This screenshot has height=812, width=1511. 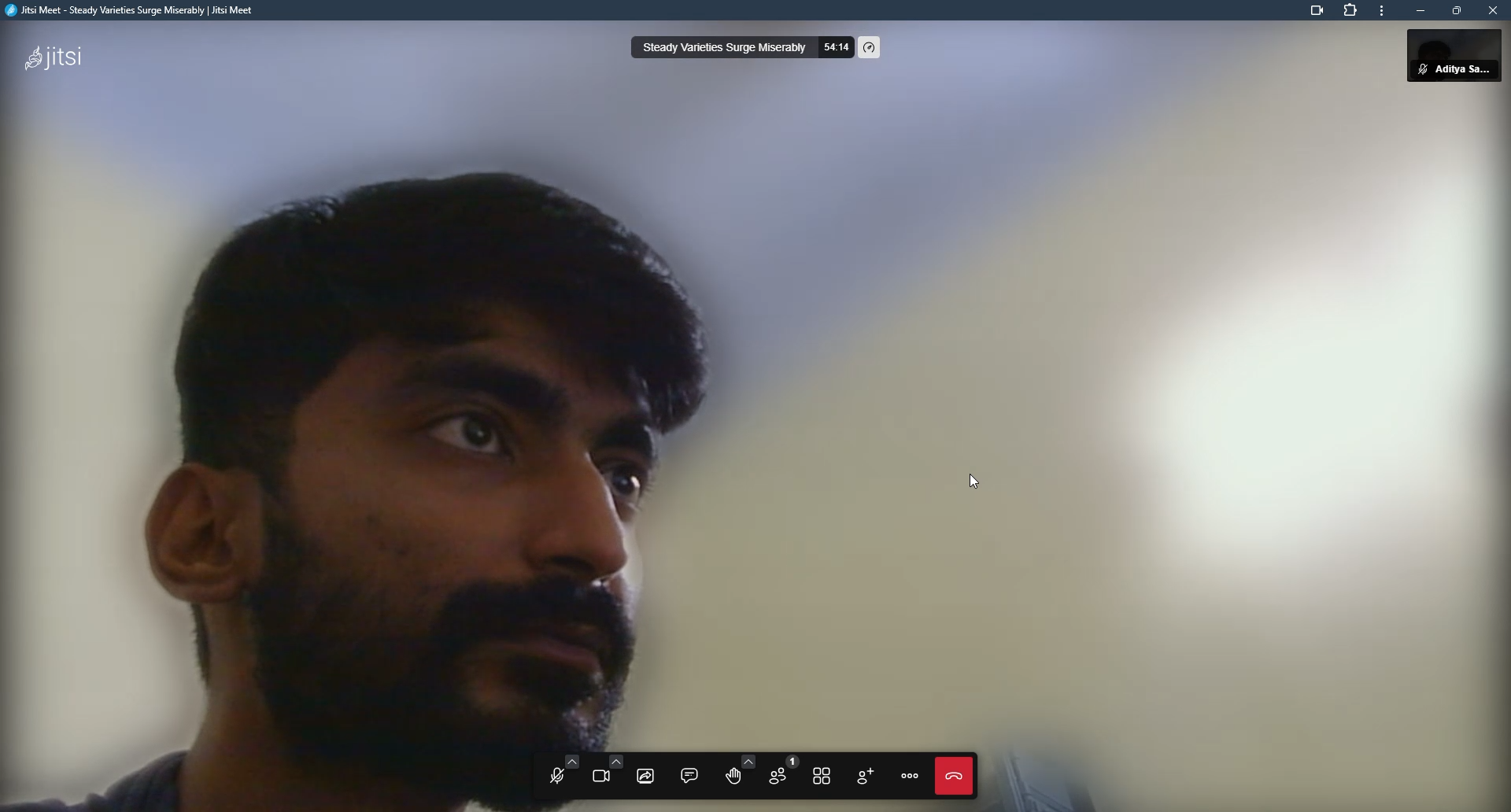 What do you see at coordinates (645, 775) in the screenshot?
I see `share screen` at bounding box center [645, 775].